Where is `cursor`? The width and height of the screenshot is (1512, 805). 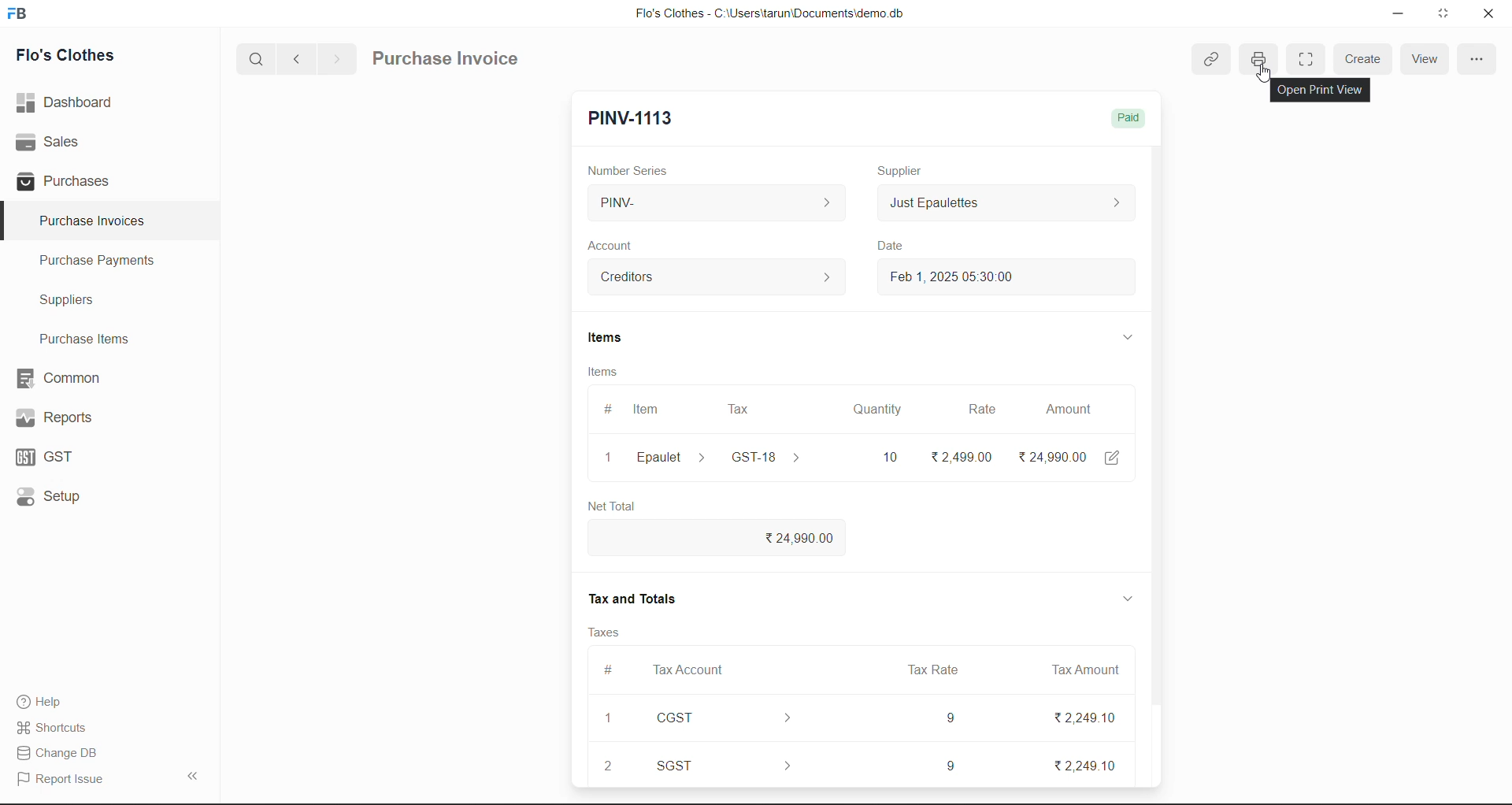
cursor is located at coordinates (1269, 75).